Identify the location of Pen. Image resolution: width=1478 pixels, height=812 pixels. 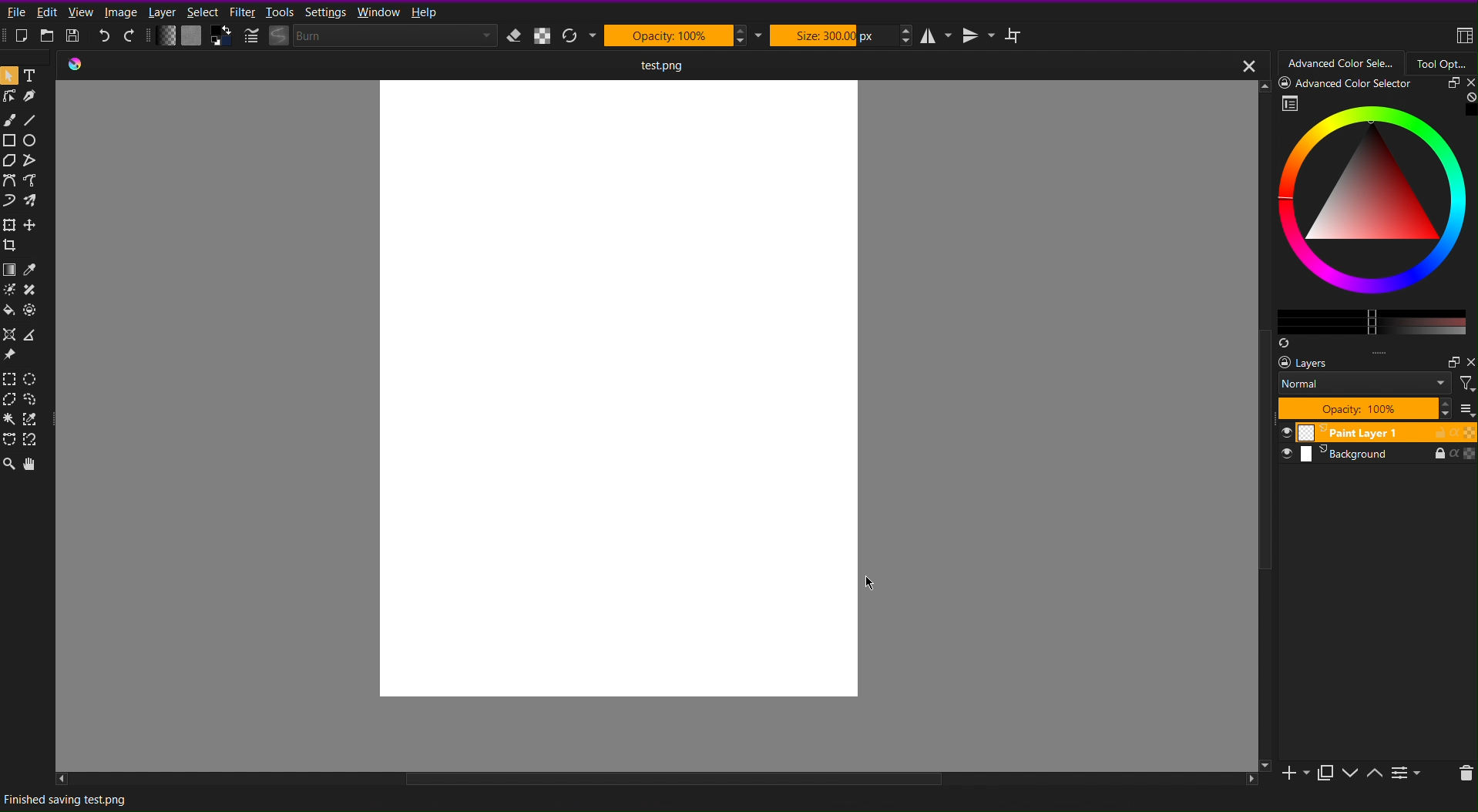
(32, 99).